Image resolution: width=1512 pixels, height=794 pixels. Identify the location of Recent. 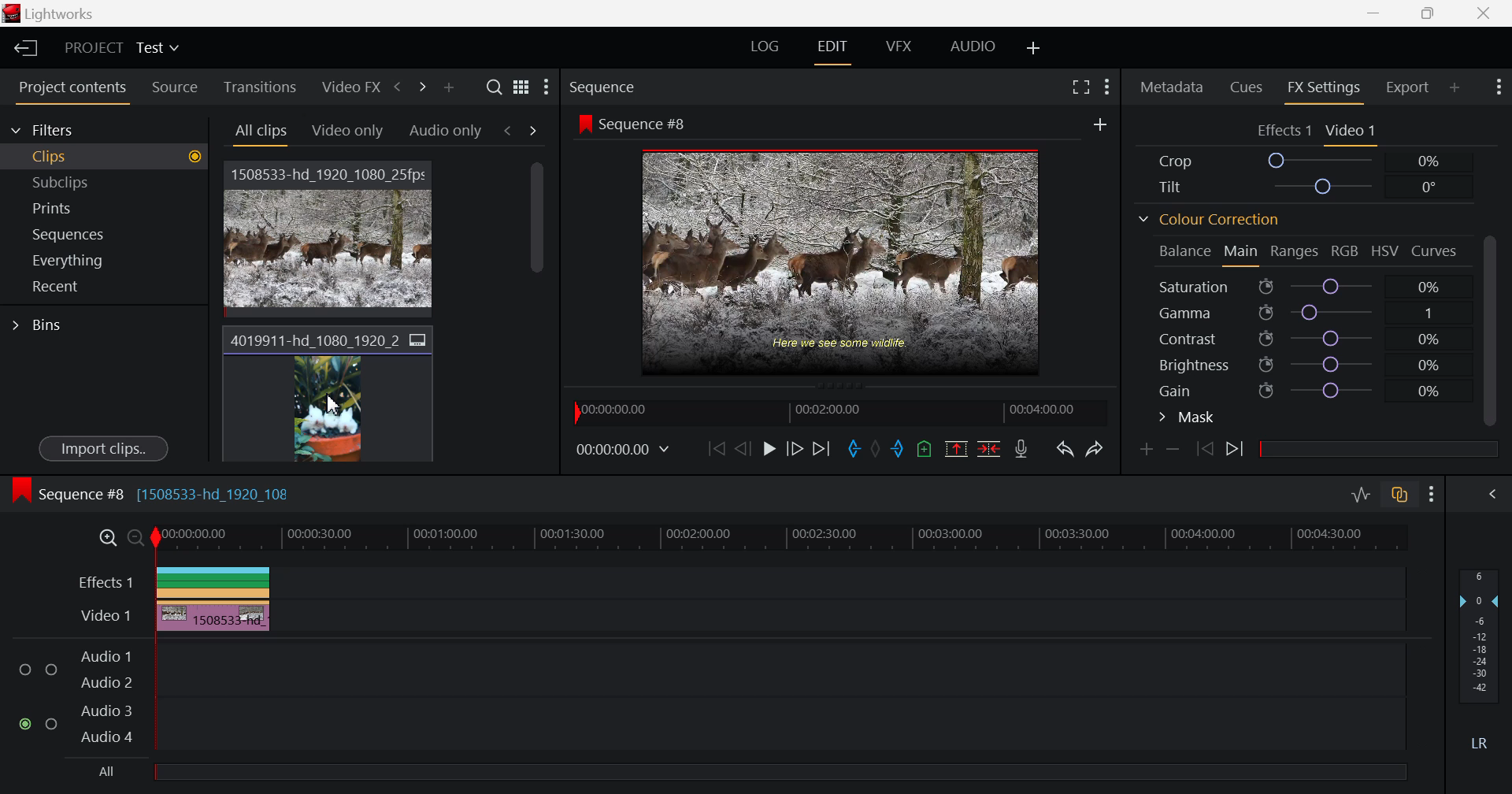
(98, 286).